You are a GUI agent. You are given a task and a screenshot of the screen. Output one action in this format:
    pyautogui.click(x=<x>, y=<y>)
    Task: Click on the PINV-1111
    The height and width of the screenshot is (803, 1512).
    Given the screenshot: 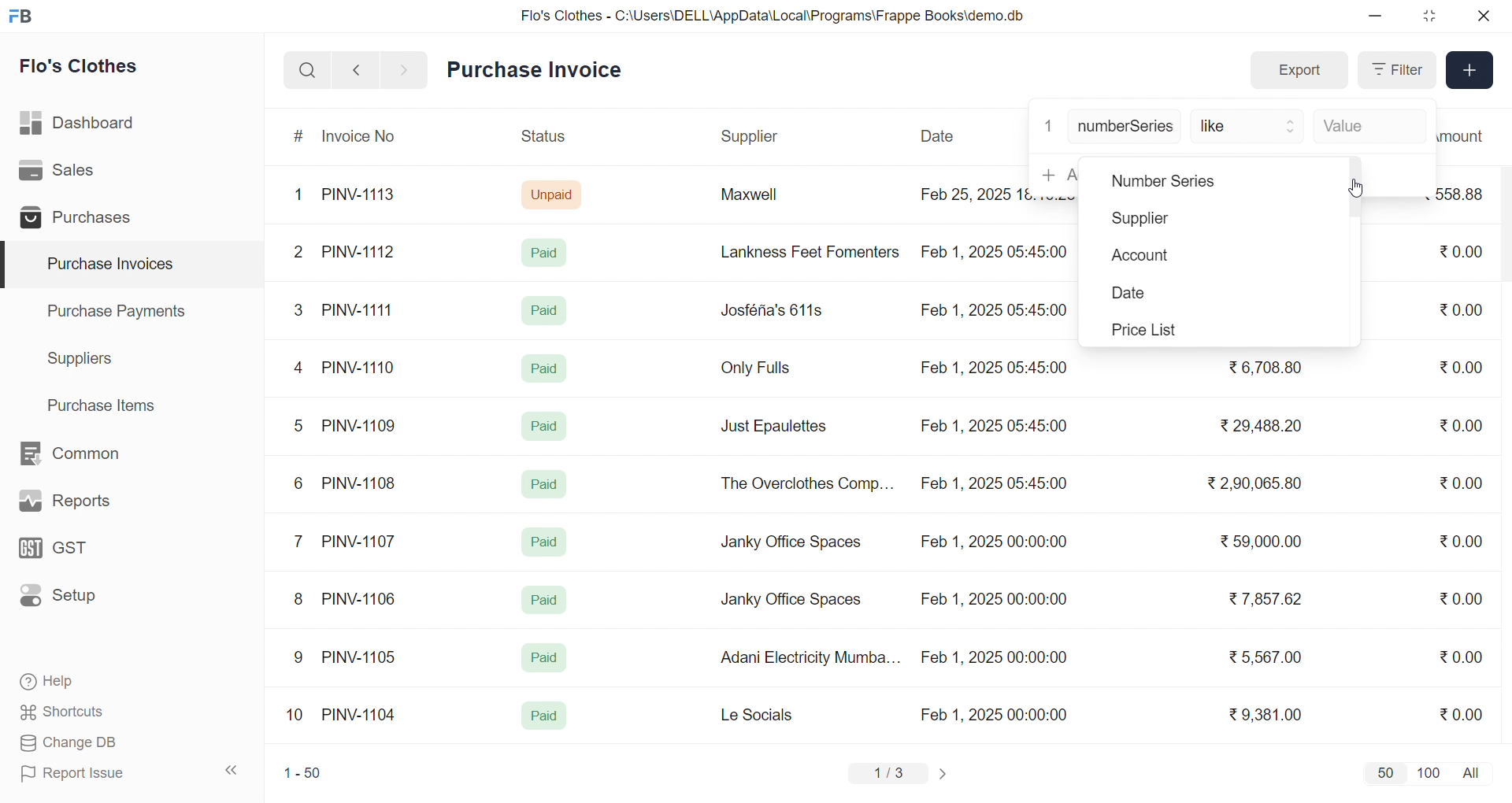 What is the action you would take?
    pyautogui.click(x=359, y=309)
    